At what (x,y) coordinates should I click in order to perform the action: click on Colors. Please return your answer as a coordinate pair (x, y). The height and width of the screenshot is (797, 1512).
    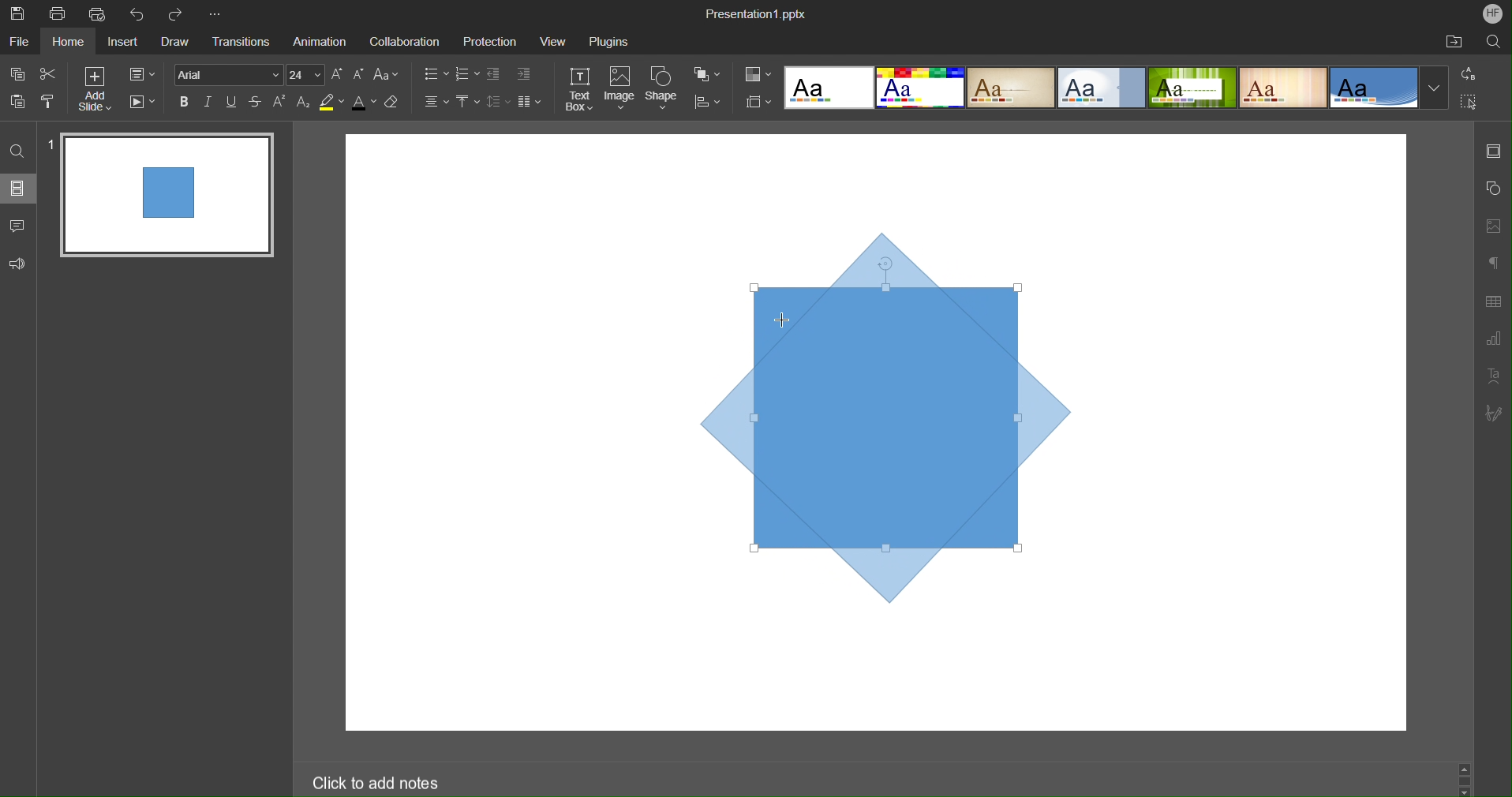
    Looking at the image, I should click on (757, 73).